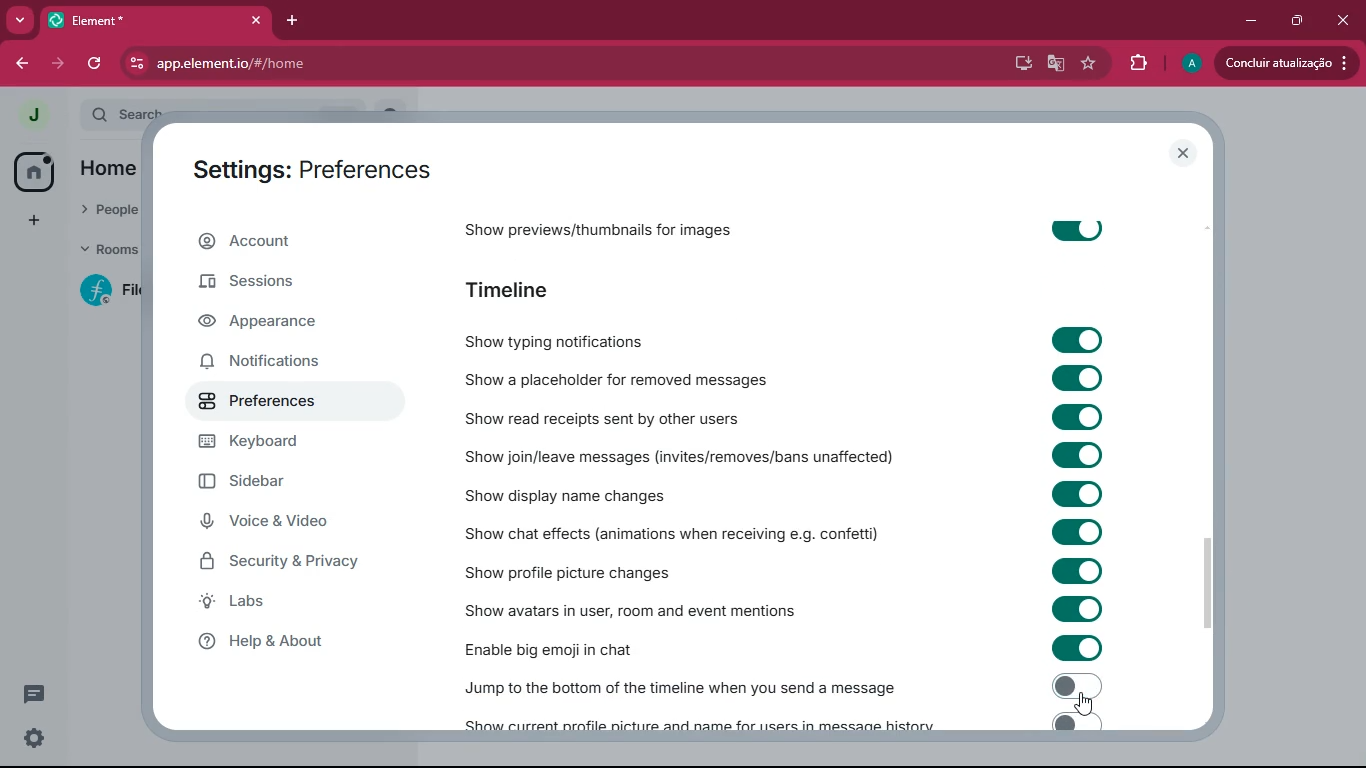  What do you see at coordinates (27, 174) in the screenshot?
I see `home` at bounding box center [27, 174].